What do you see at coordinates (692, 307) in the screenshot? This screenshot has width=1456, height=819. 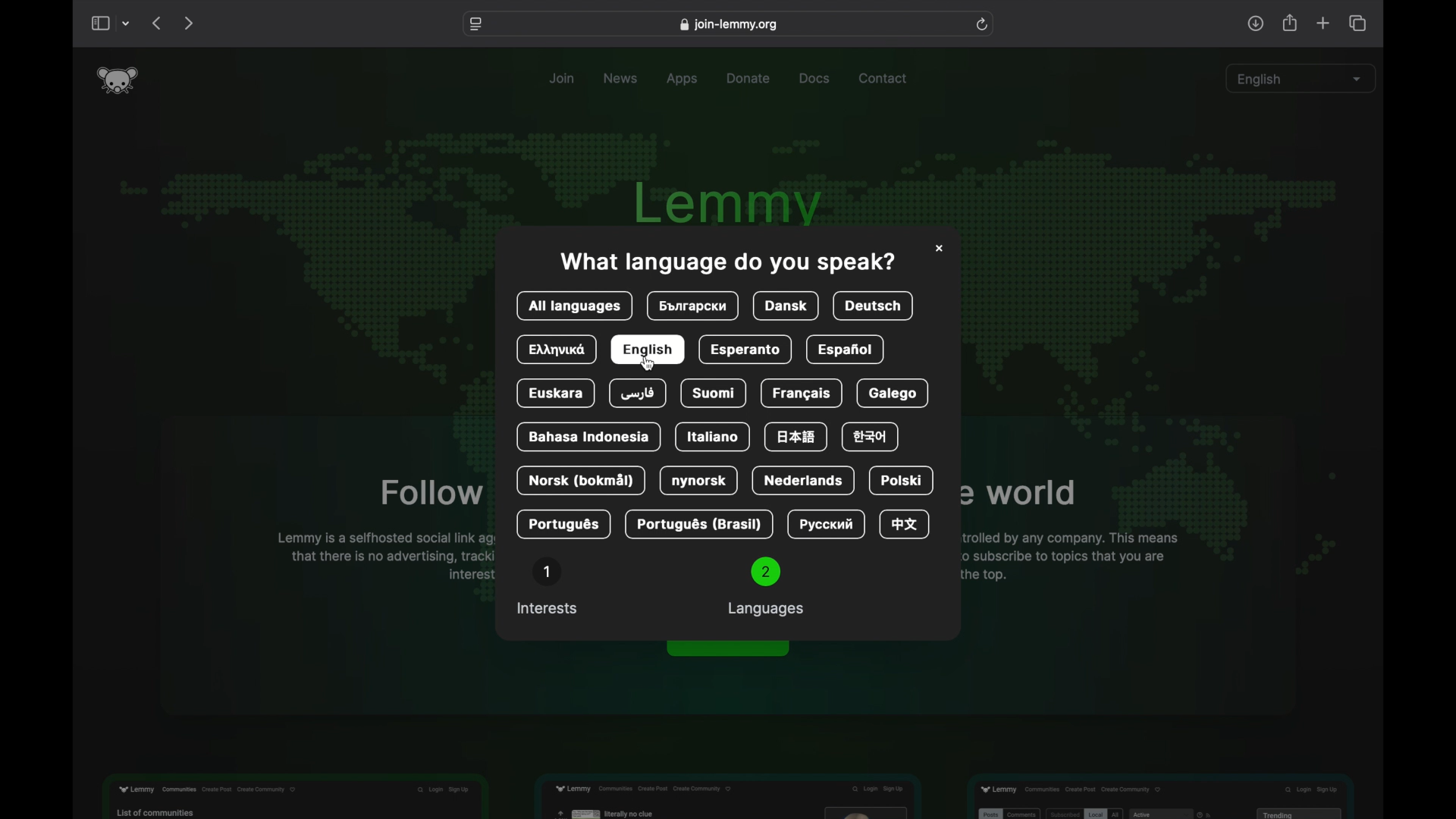 I see `language` at bounding box center [692, 307].